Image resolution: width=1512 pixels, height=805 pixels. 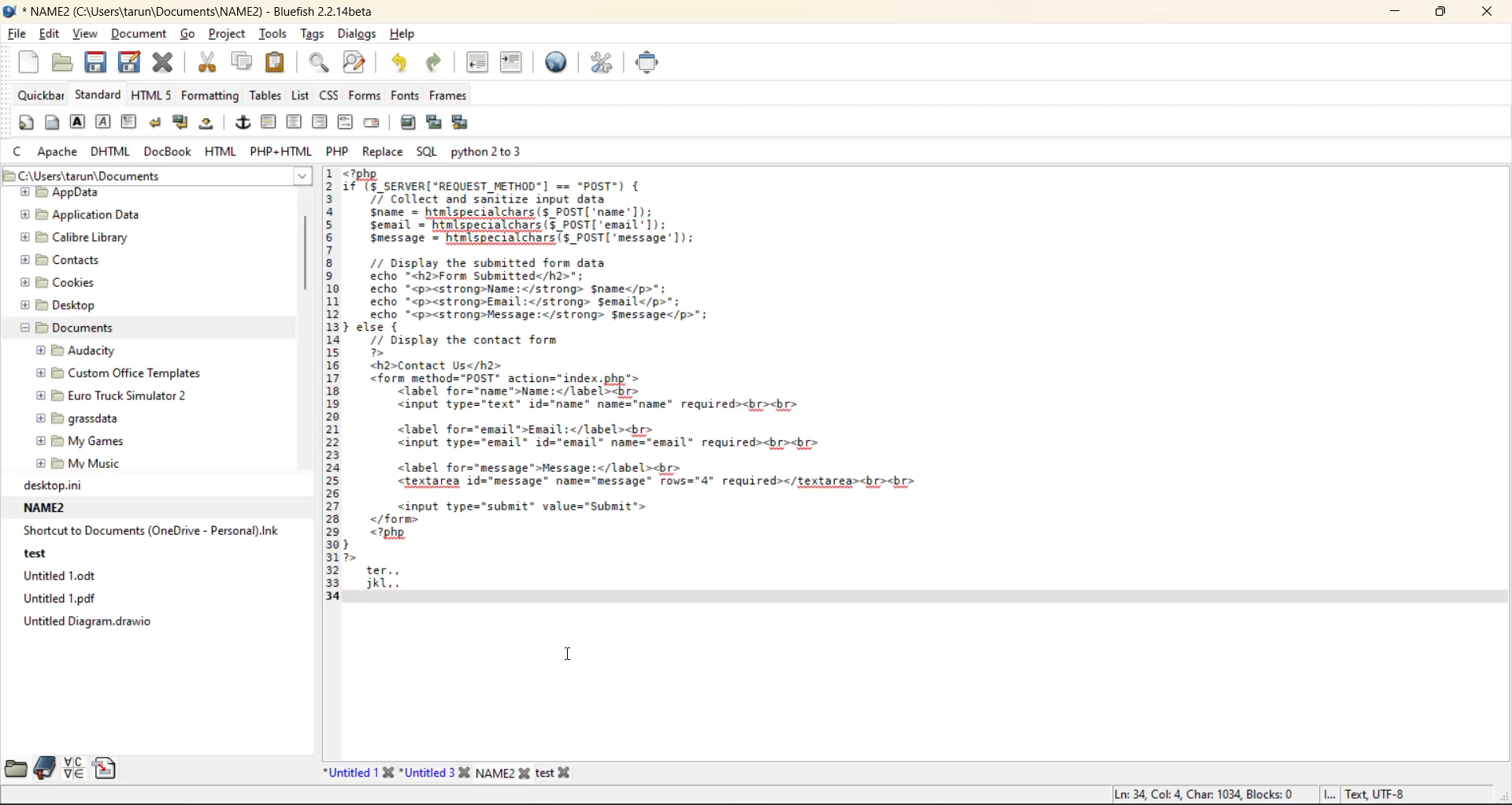 I want to click on quickstart, so click(x=24, y=123).